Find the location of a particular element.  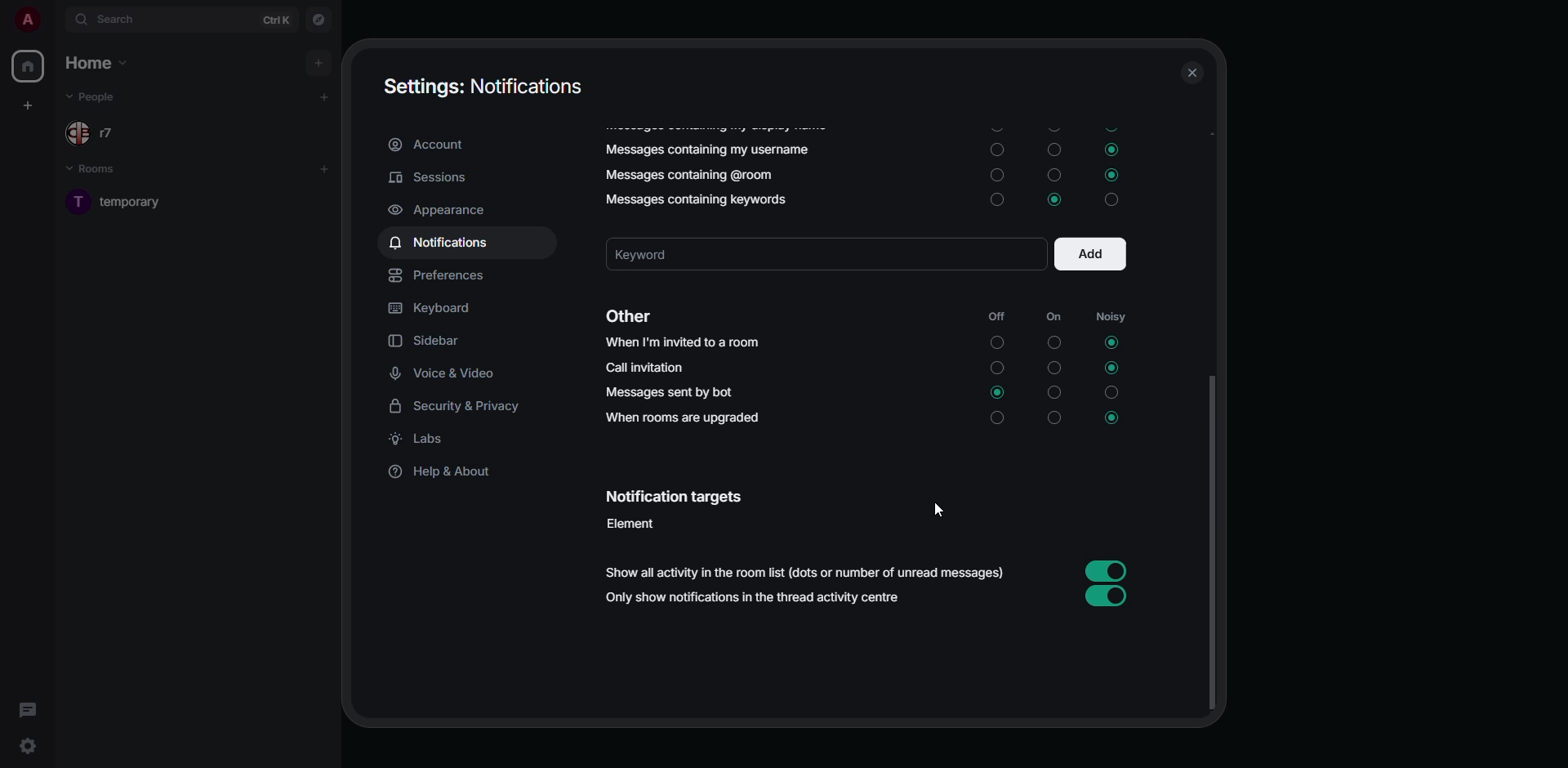

element is located at coordinates (631, 524).